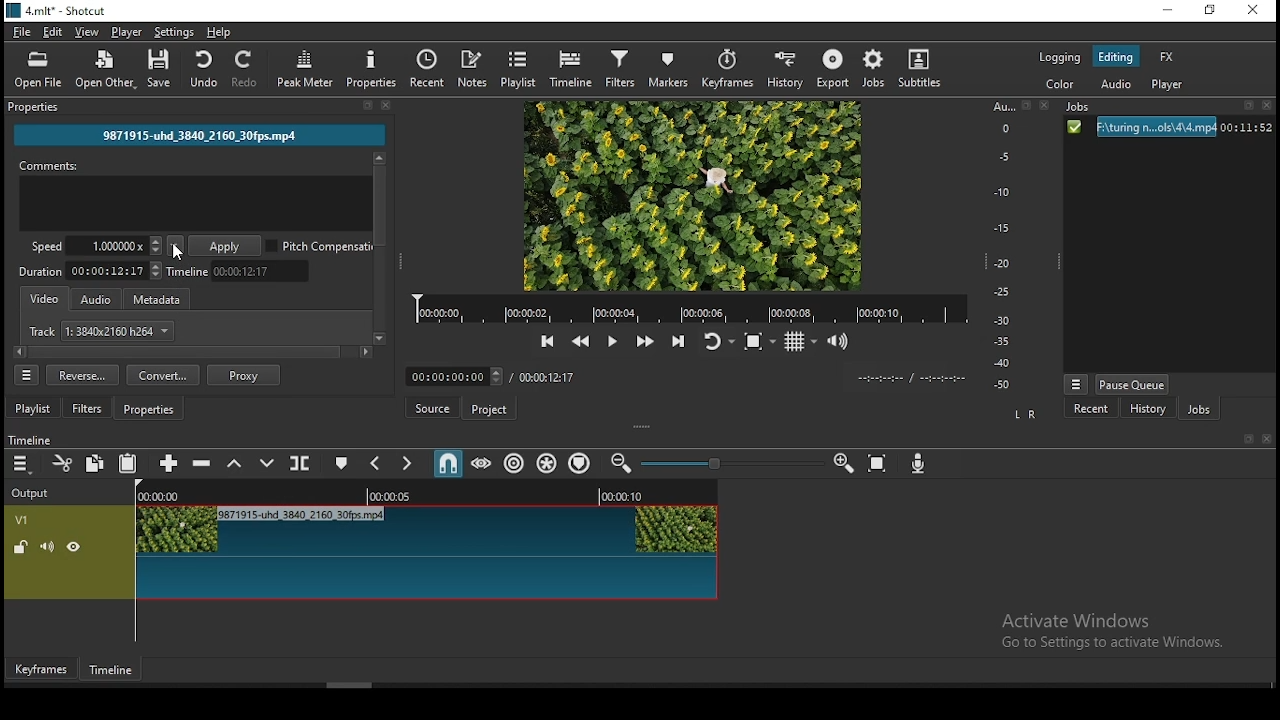  Describe the element at coordinates (1167, 58) in the screenshot. I see `fx` at that location.